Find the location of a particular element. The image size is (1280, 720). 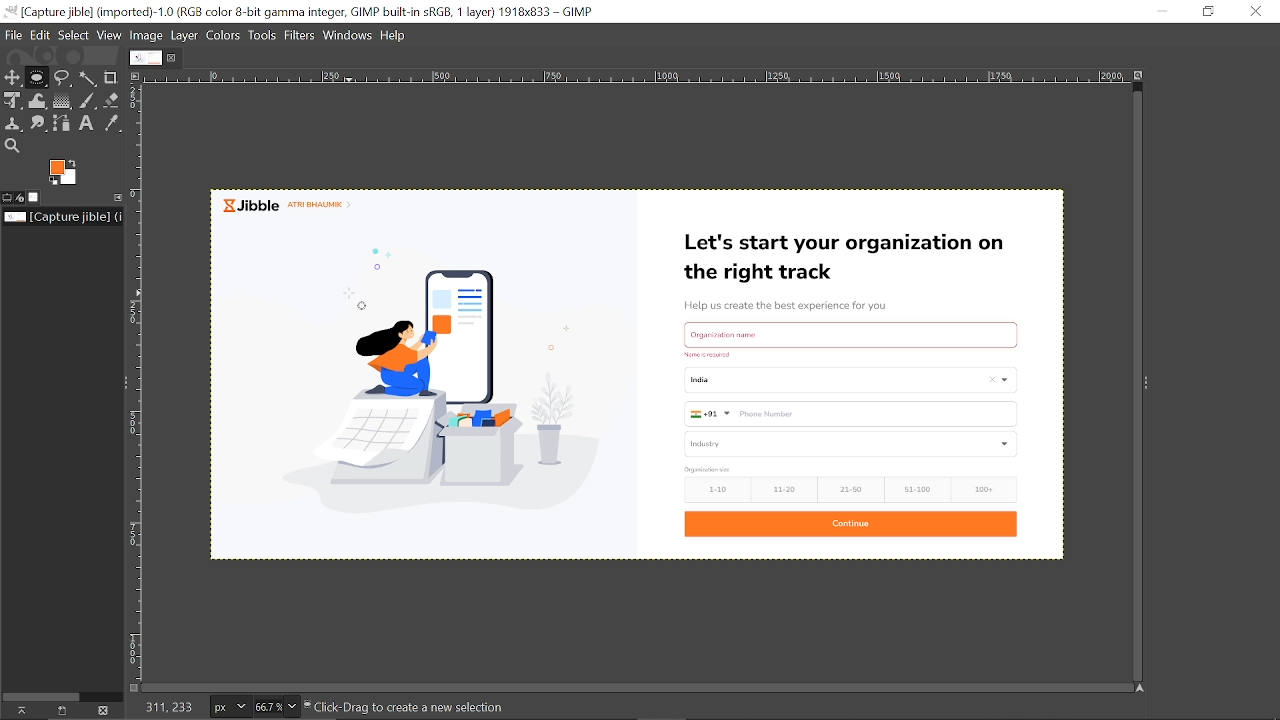

Zoom options is located at coordinates (290, 704).